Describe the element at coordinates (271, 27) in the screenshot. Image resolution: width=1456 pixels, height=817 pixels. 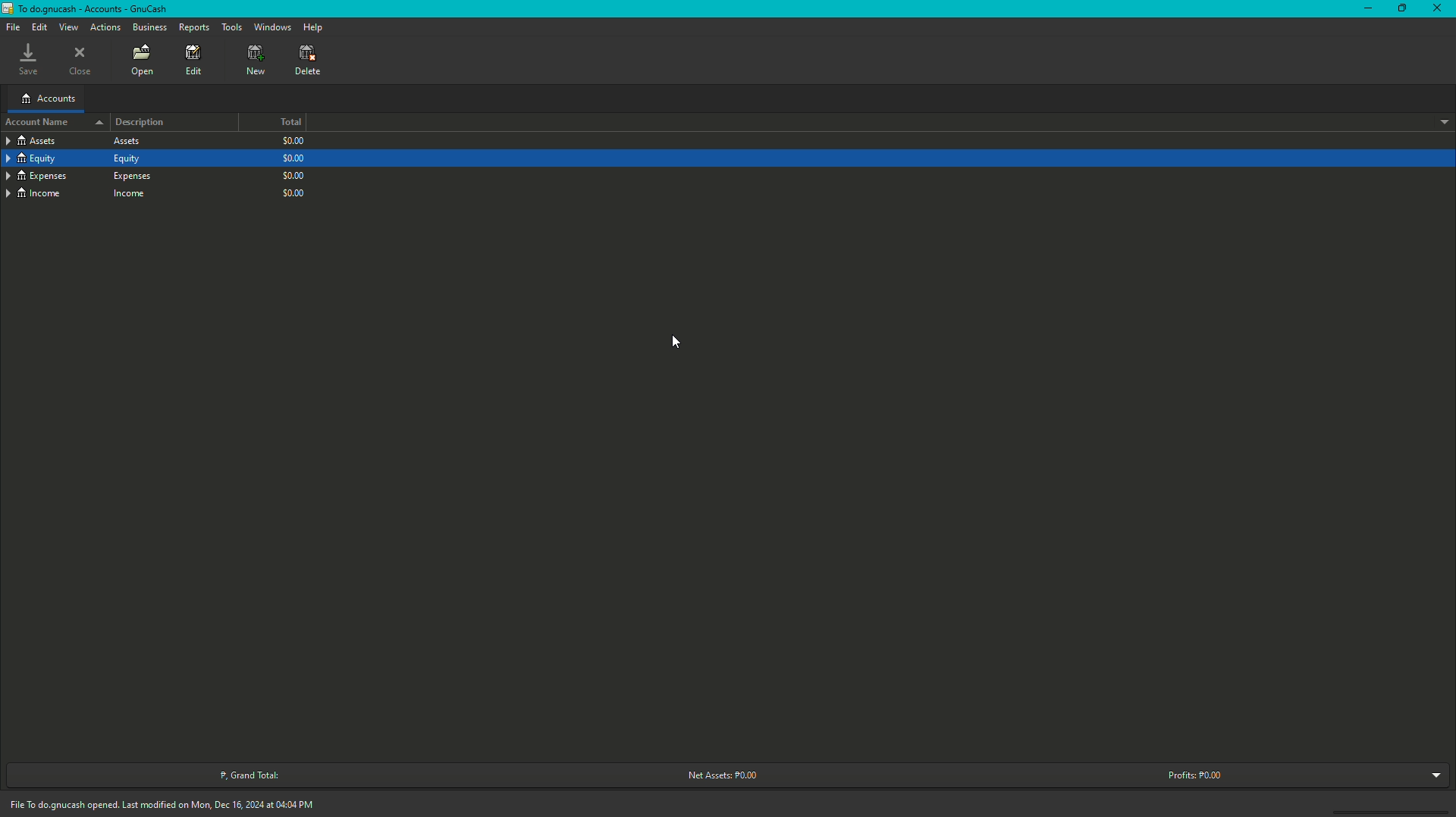
I see `Windows` at that location.